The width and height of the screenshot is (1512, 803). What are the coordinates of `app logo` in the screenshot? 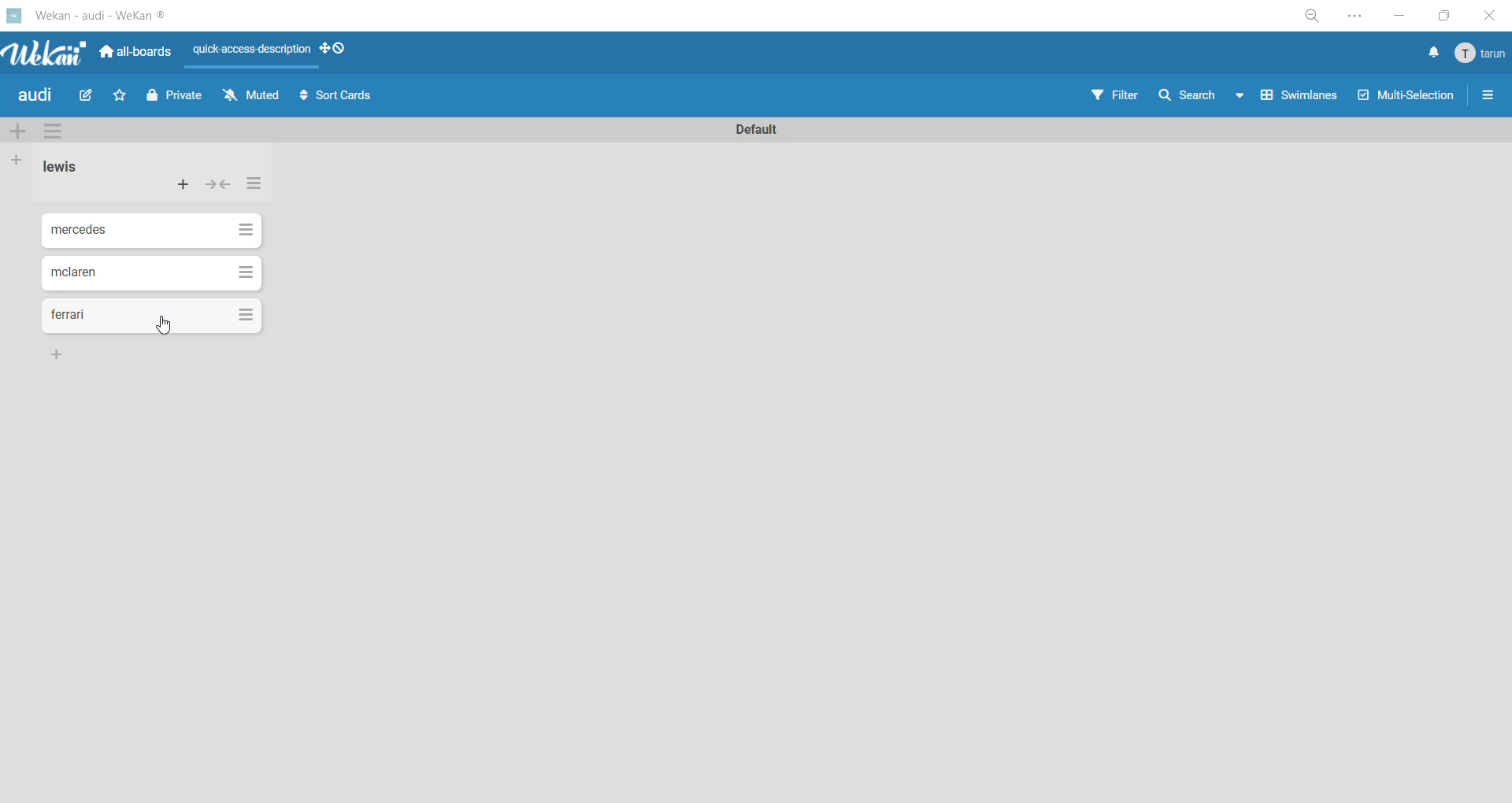 It's located at (43, 50).